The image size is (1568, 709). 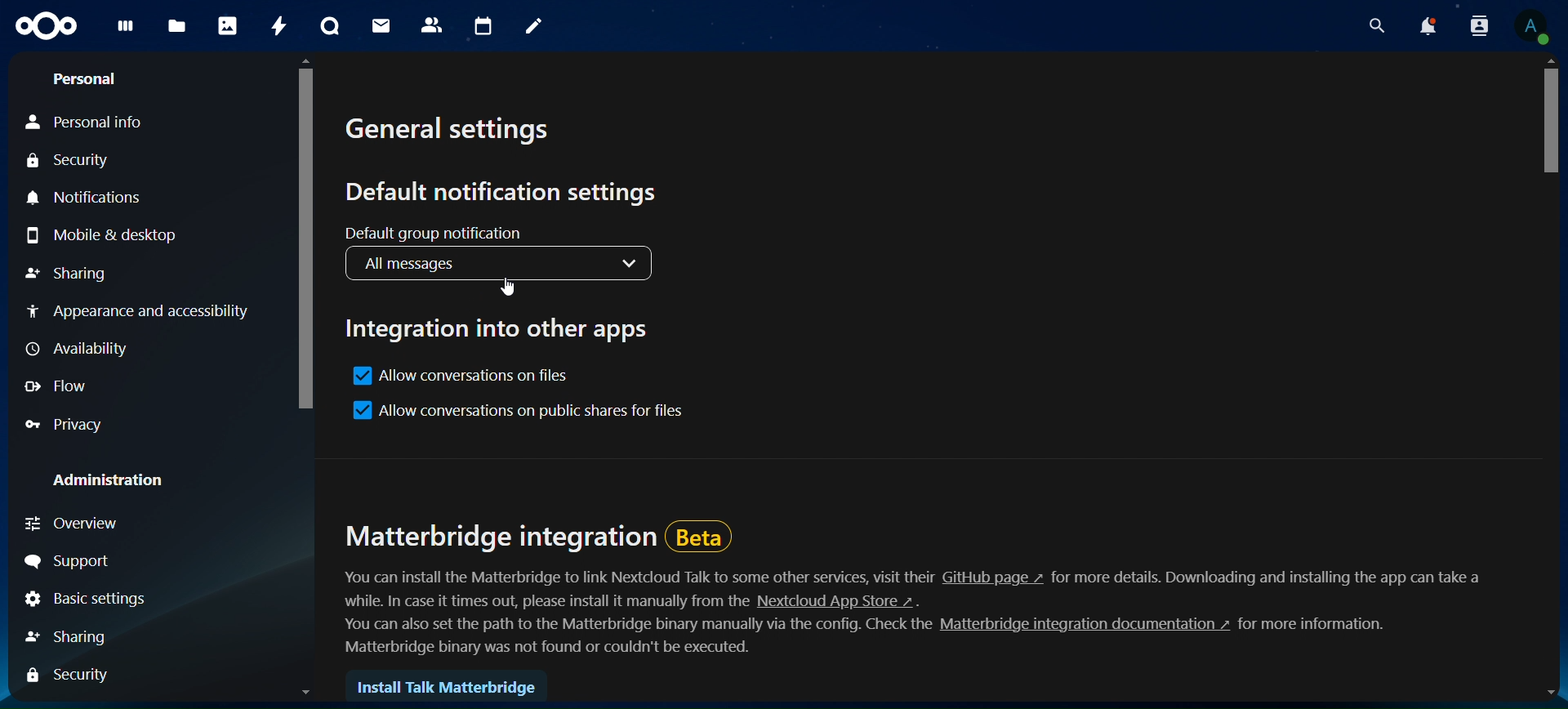 What do you see at coordinates (481, 26) in the screenshot?
I see `calendar` at bounding box center [481, 26].